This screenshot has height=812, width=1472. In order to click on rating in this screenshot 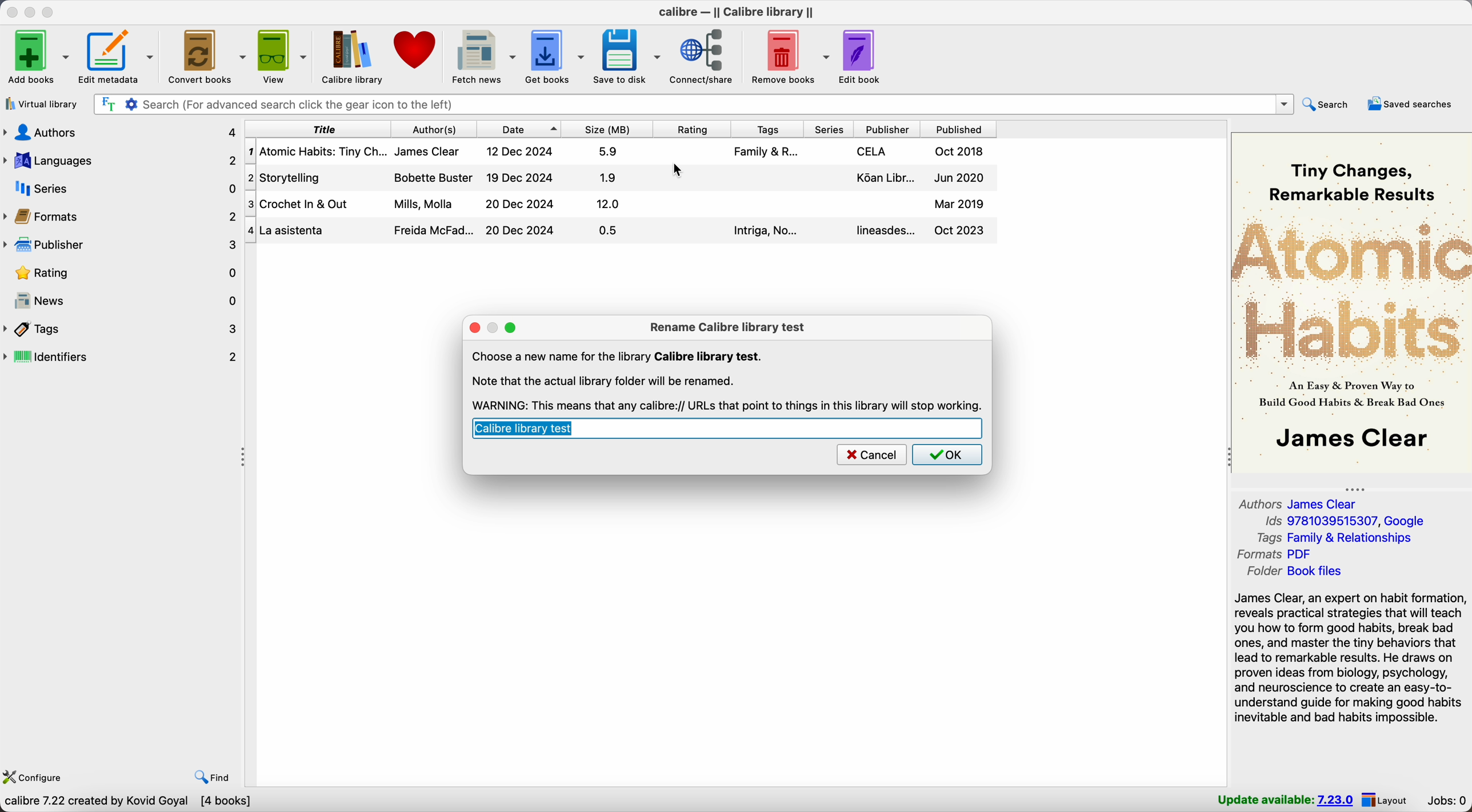, I will do `click(692, 128)`.